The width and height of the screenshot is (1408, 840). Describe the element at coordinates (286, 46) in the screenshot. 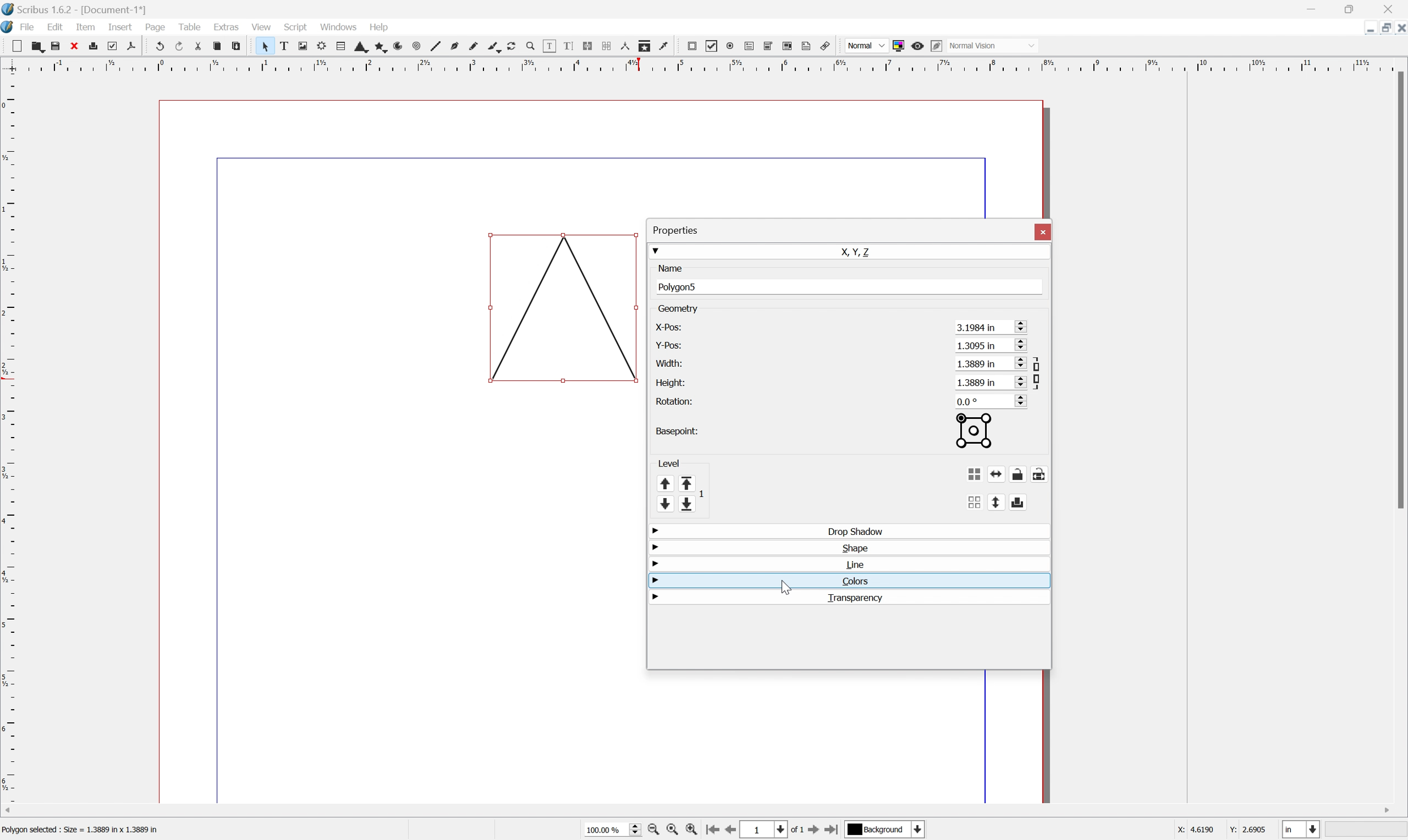

I see `Text frame` at that location.